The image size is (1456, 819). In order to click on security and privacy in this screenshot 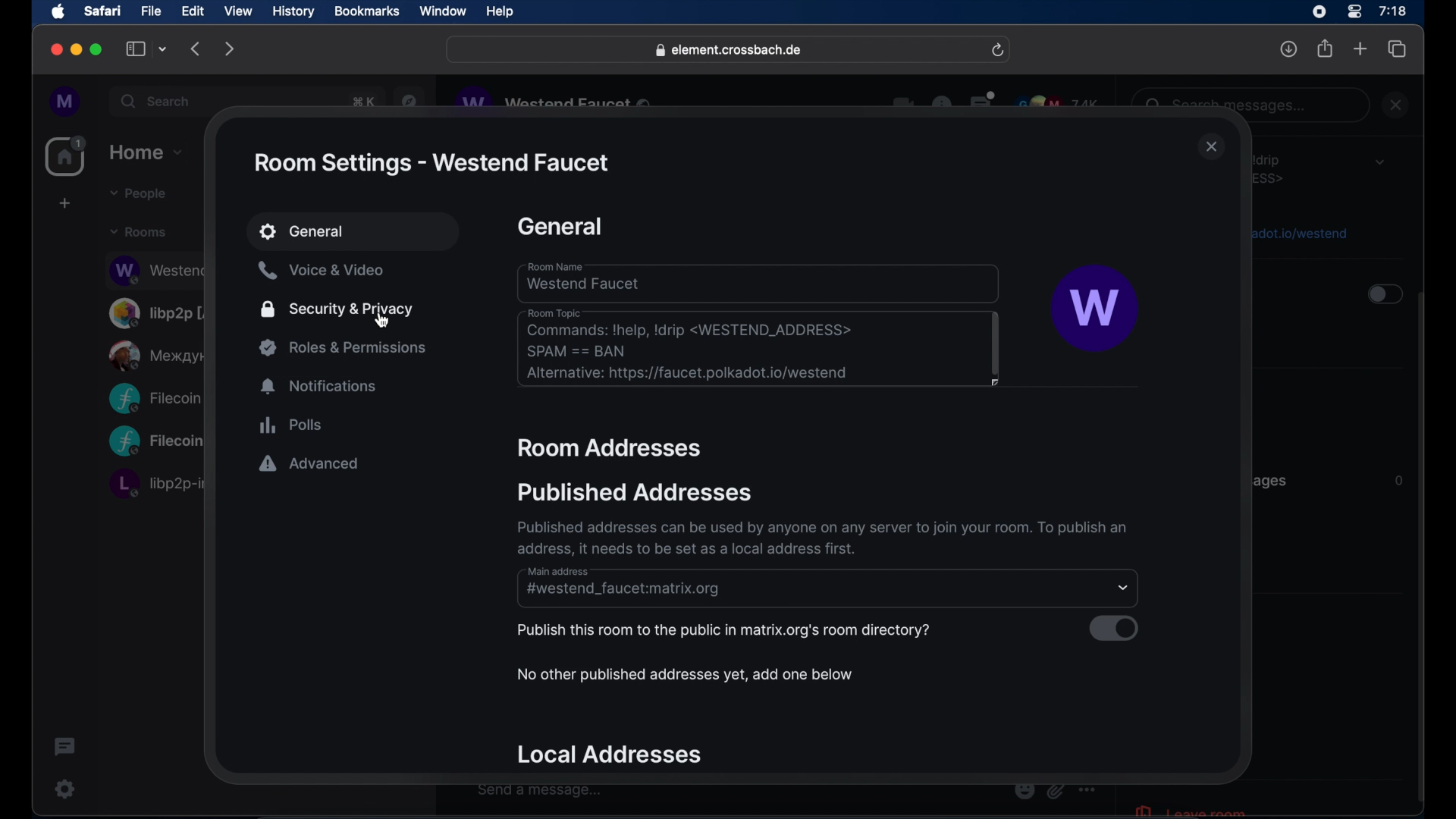, I will do `click(337, 309)`.